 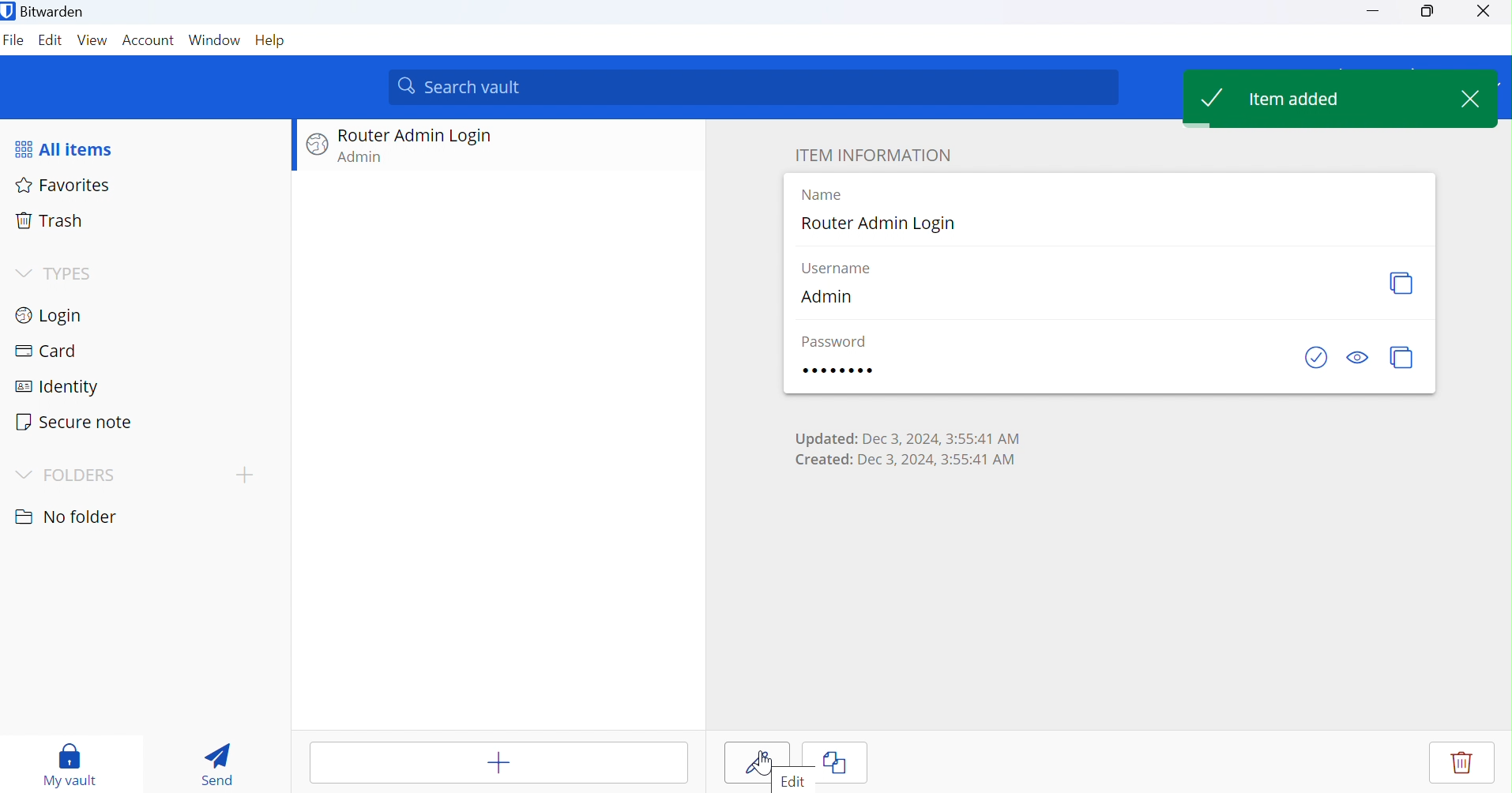 What do you see at coordinates (312, 145) in the screenshot?
I see `Website logo` at bounding box center [312, 145].